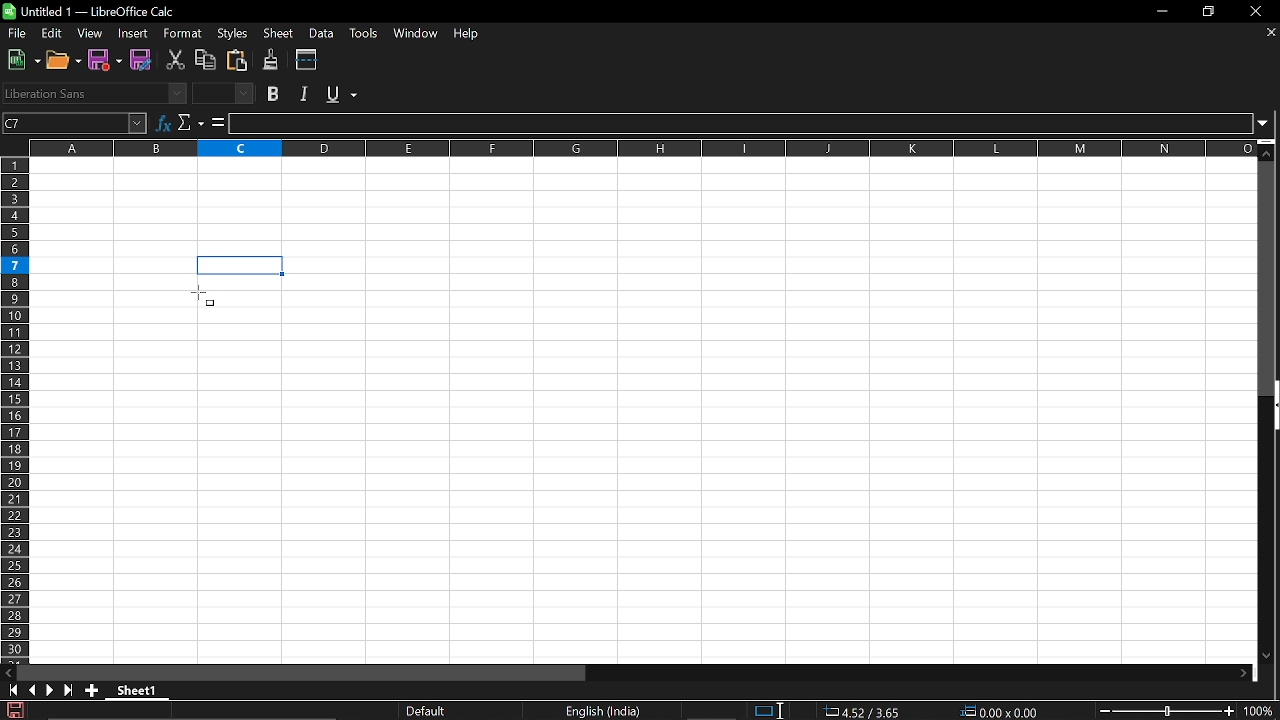  I want to click on MOve left, so click(8, 673).